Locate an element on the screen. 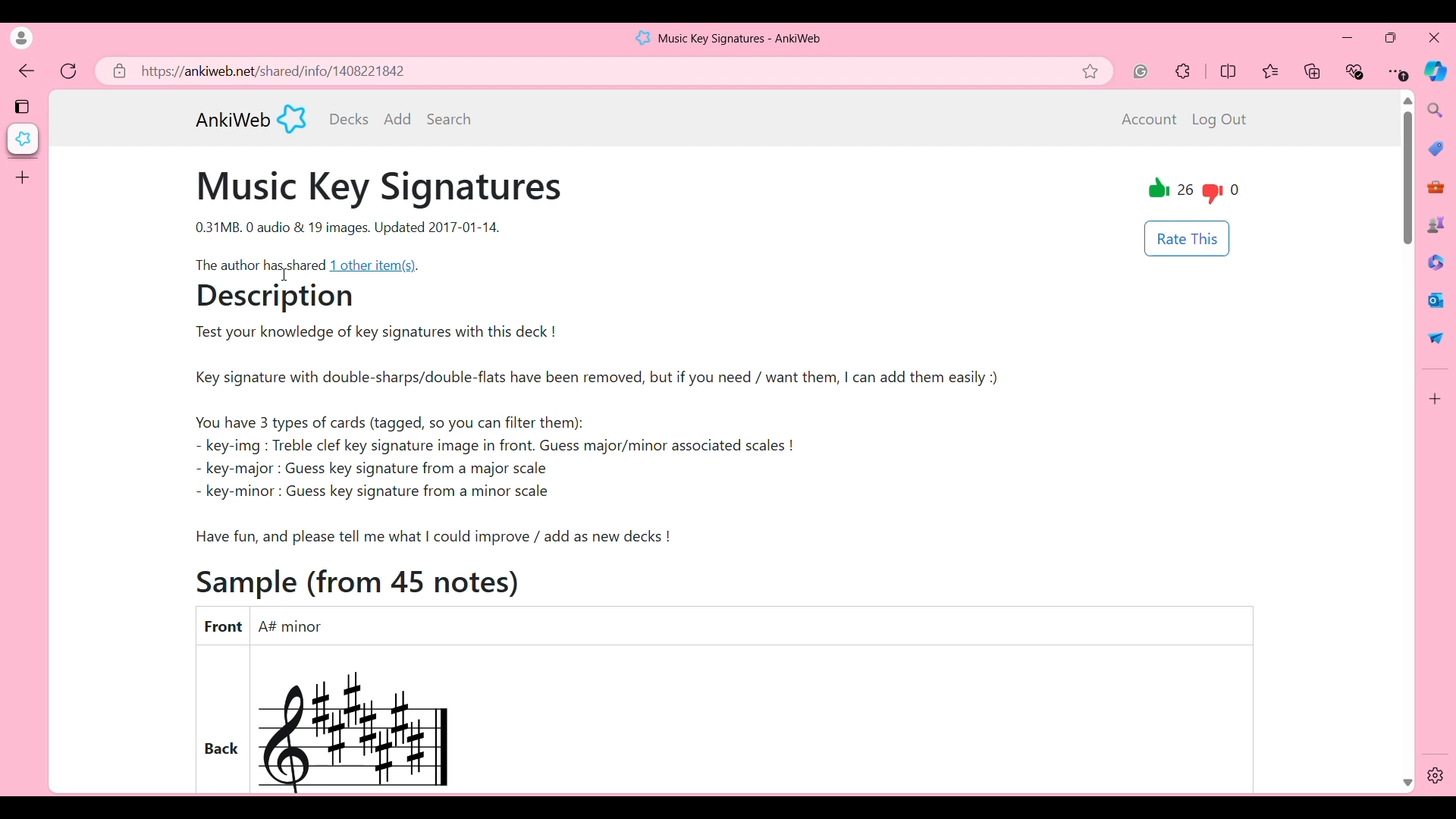 The height and width of the screenshot is (819, 1456). Software logo is located at coordinates (292, 118).